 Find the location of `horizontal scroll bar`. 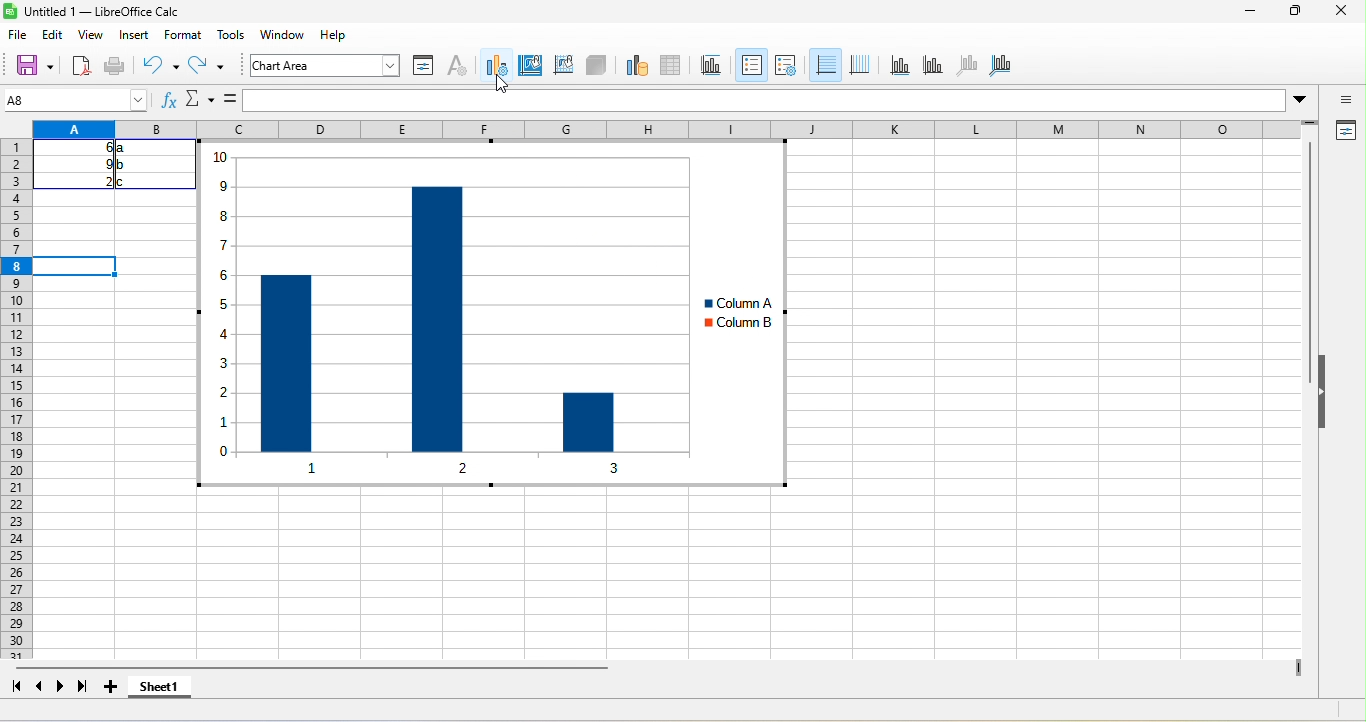

horizontal scroll bar is located at coordinates (326, 667).